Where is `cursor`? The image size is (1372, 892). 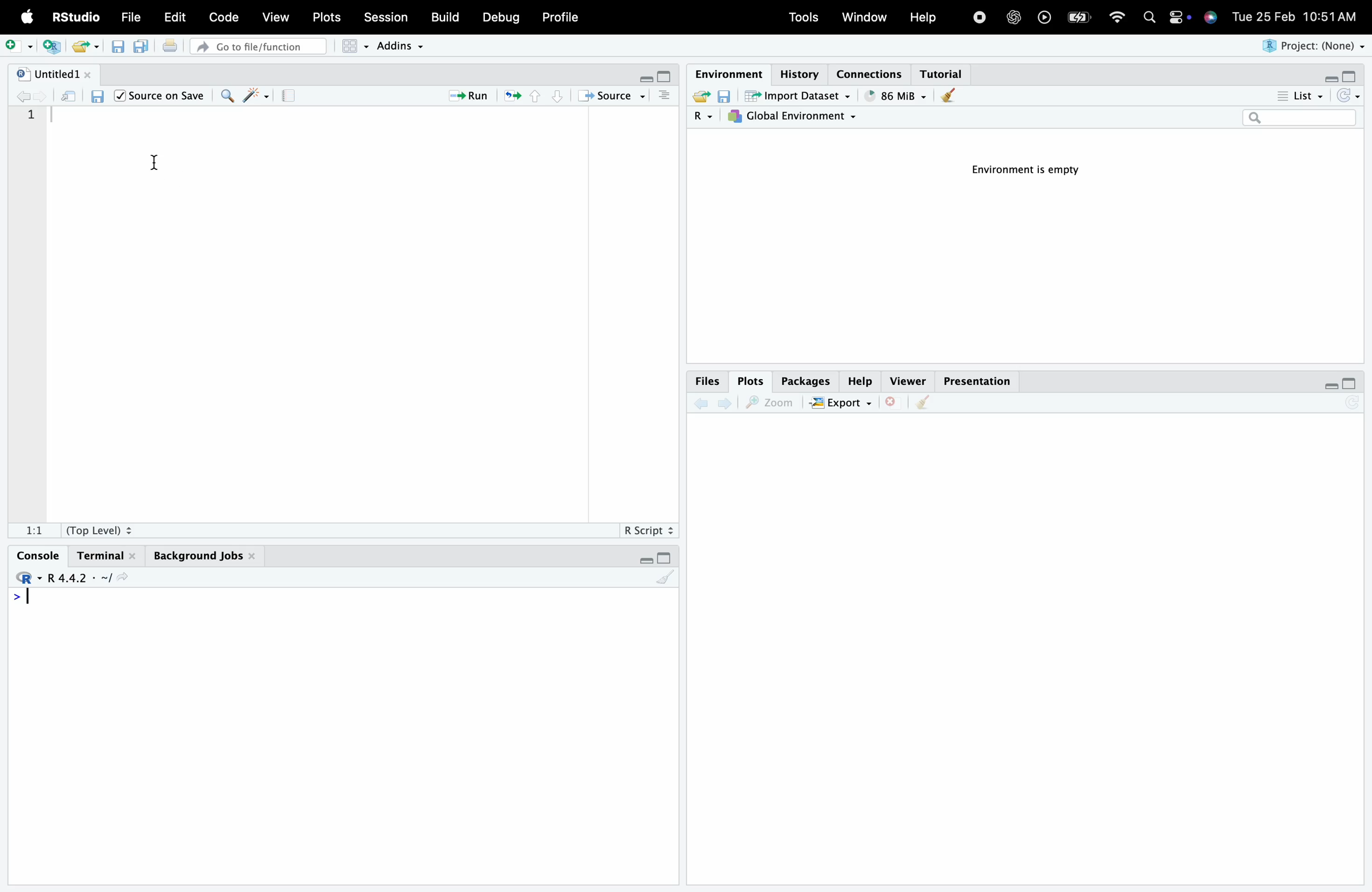
cursor is located at coordinates (166, 170).